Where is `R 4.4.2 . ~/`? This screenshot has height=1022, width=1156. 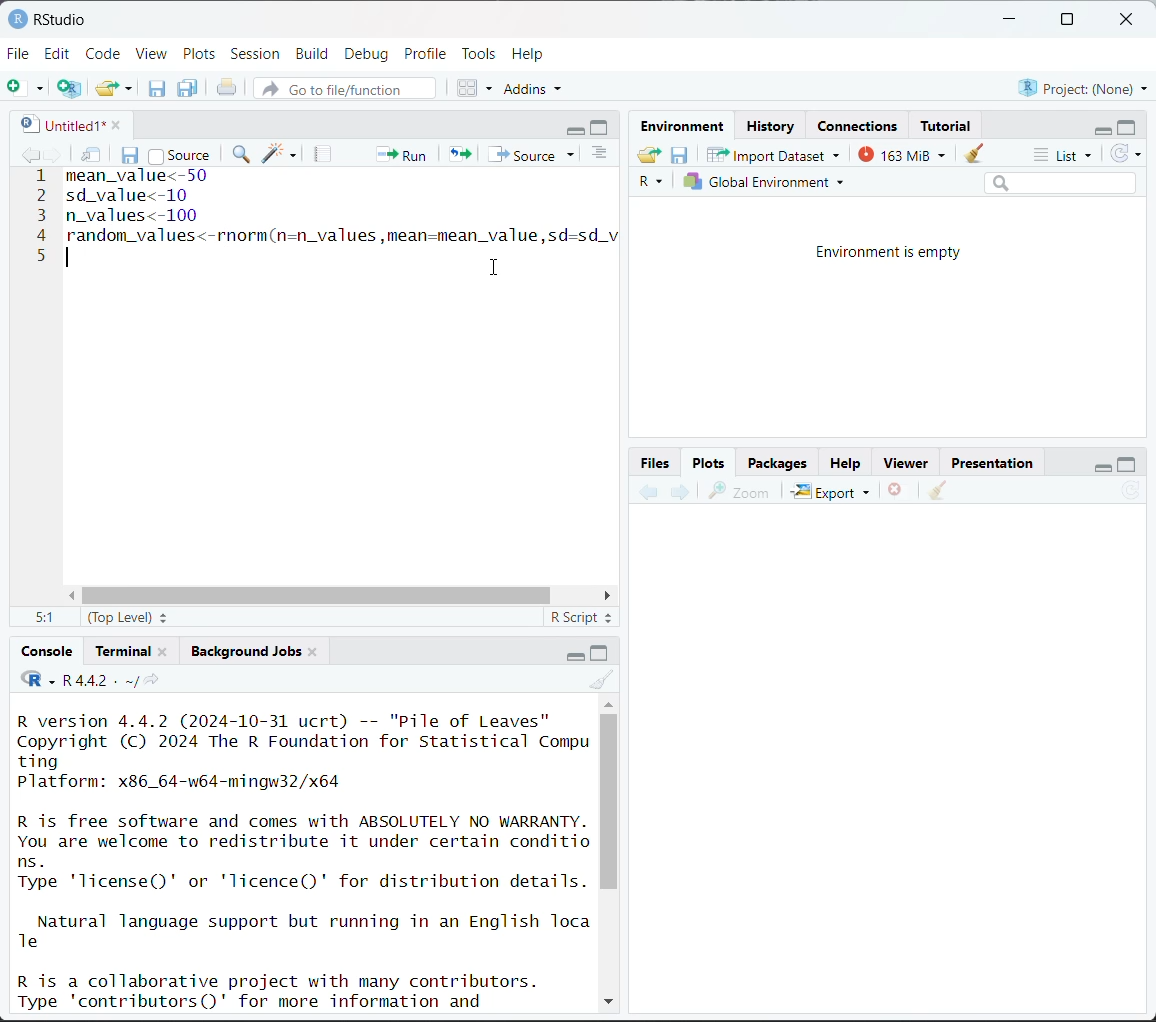
R 4.4.2 . ~/ is located at coordinates (99, 680).